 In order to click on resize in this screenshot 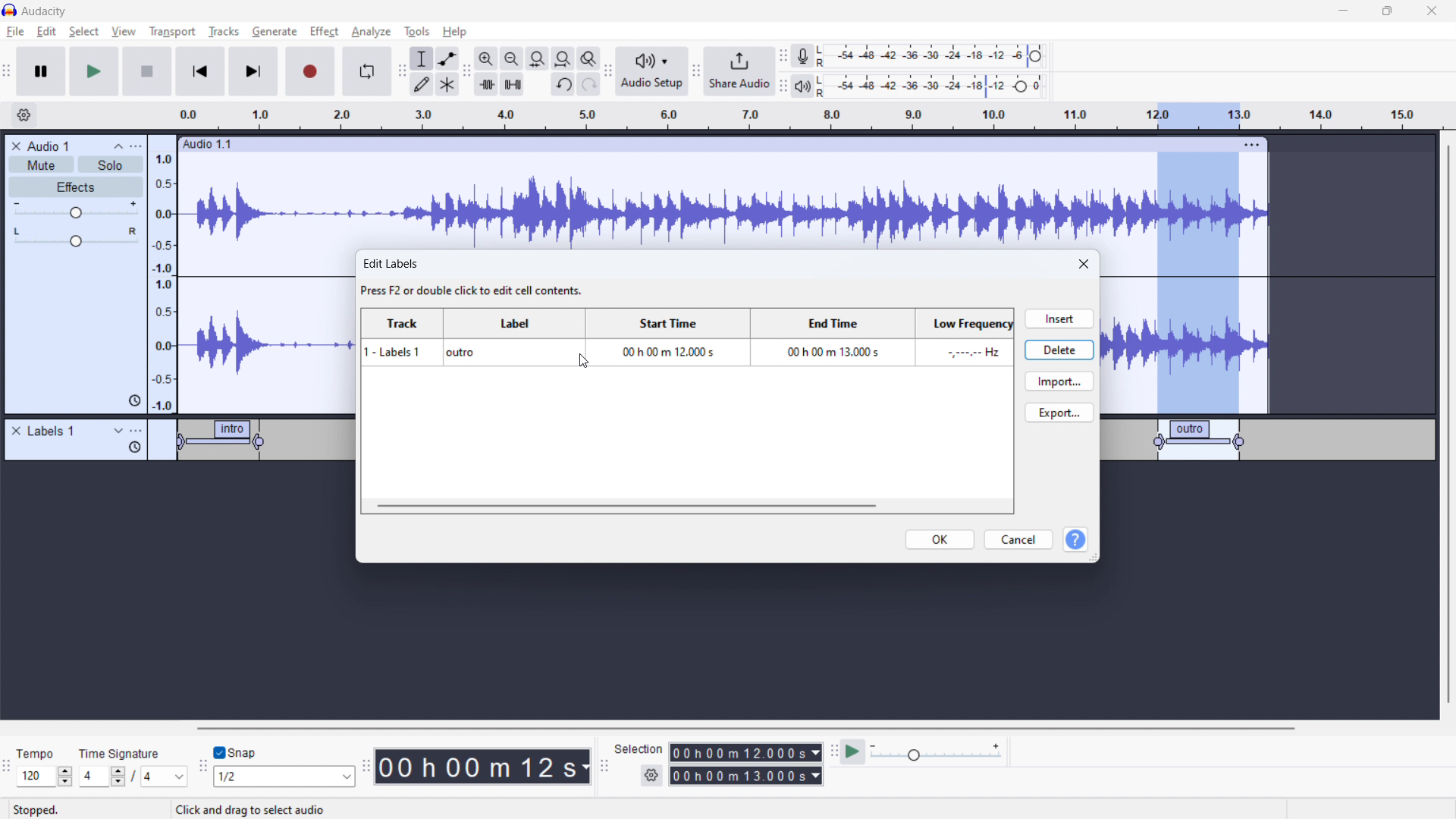, I will do `click(1094, 557)`.